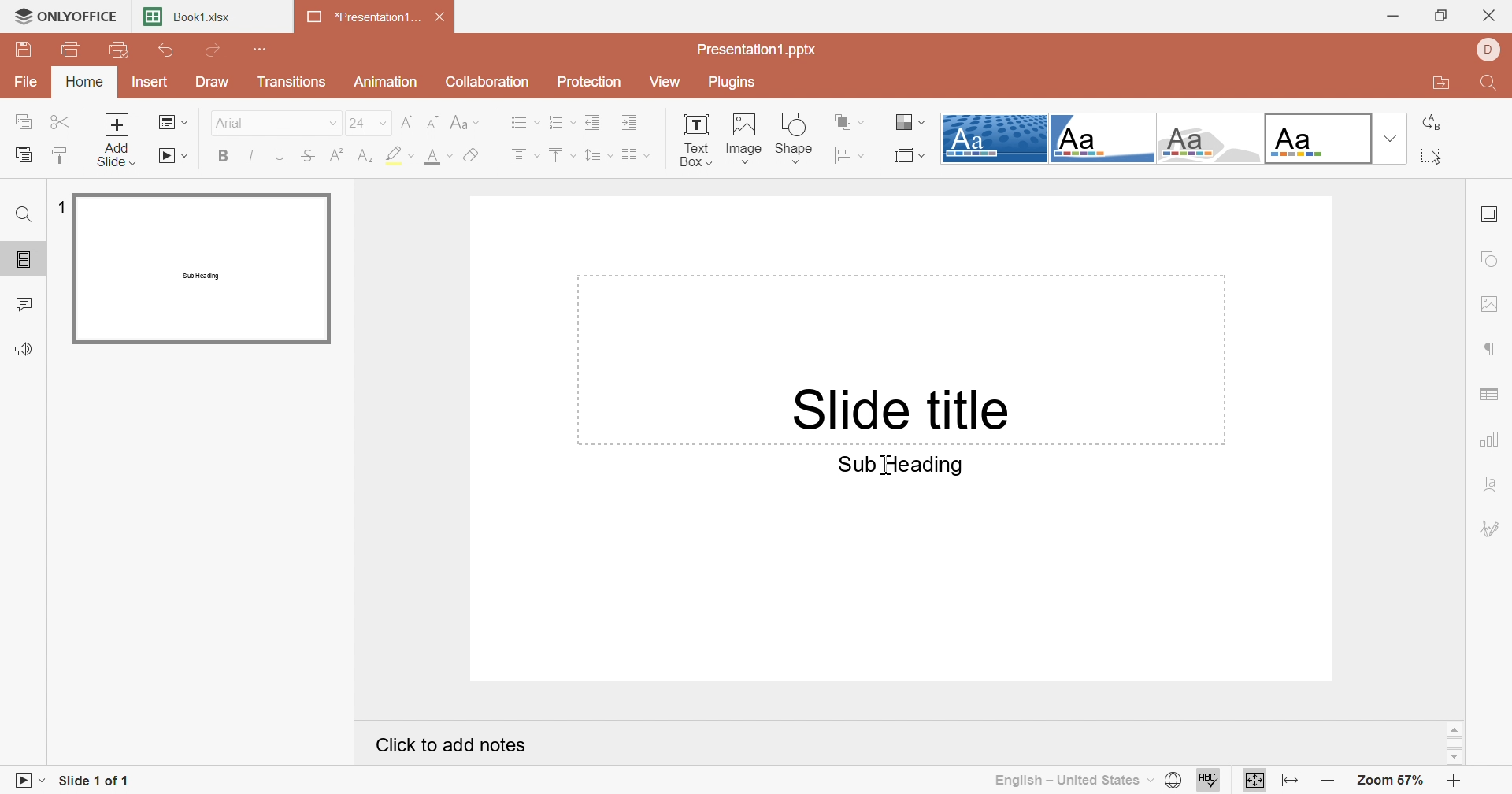  What do you see at coordinates (485, 82) in the screenshot?
I see `Collaboration` at bounding box center [485, 82].